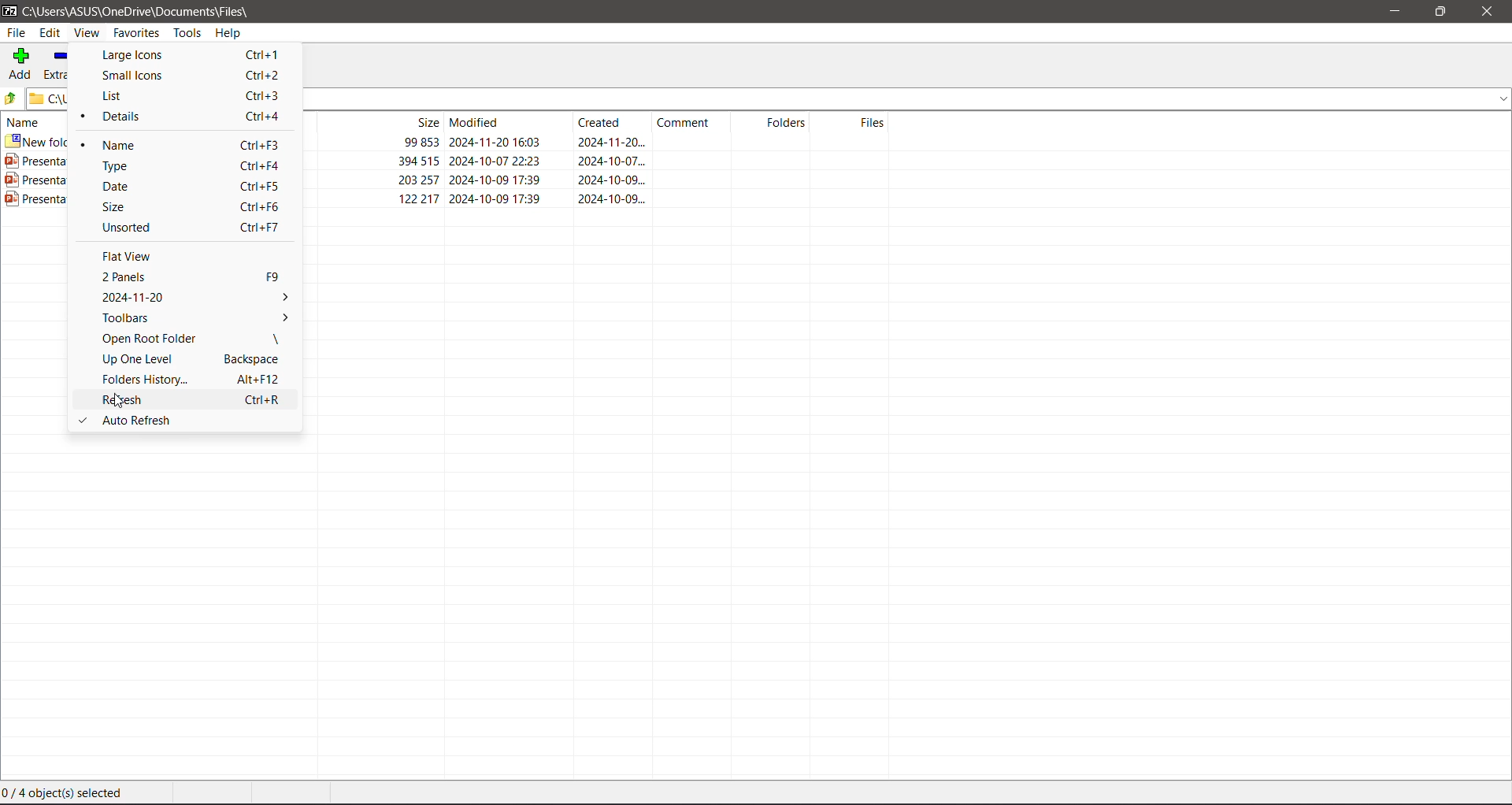 The width and height of the screenshot is (1512, 805). What do you see at coordinates (17, 99) in the screenshot?
I see `folder` at bounding box center [17, 99].